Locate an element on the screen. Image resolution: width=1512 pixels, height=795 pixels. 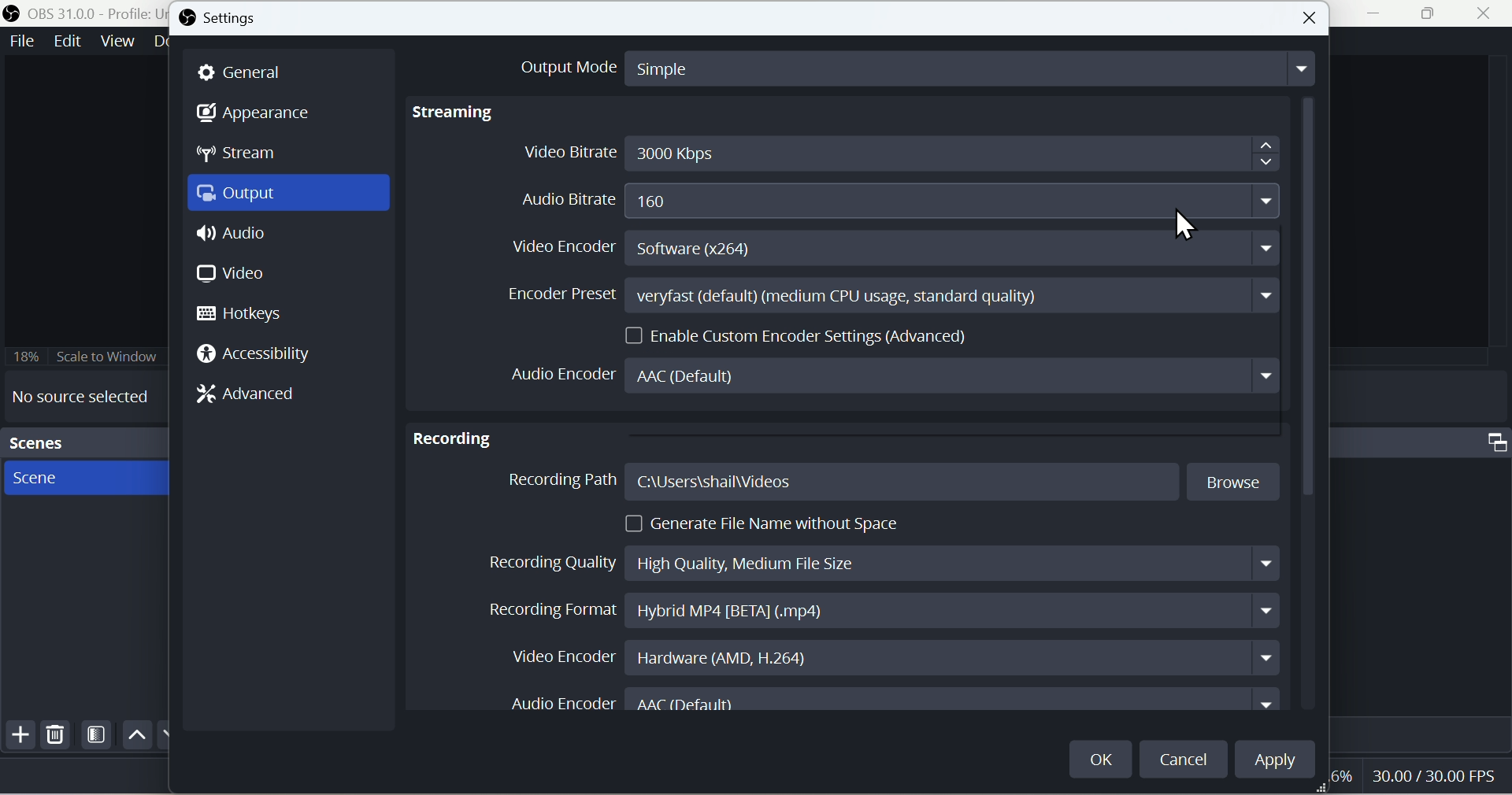
Generate File Name without Space is located at coordinates (768, 523).